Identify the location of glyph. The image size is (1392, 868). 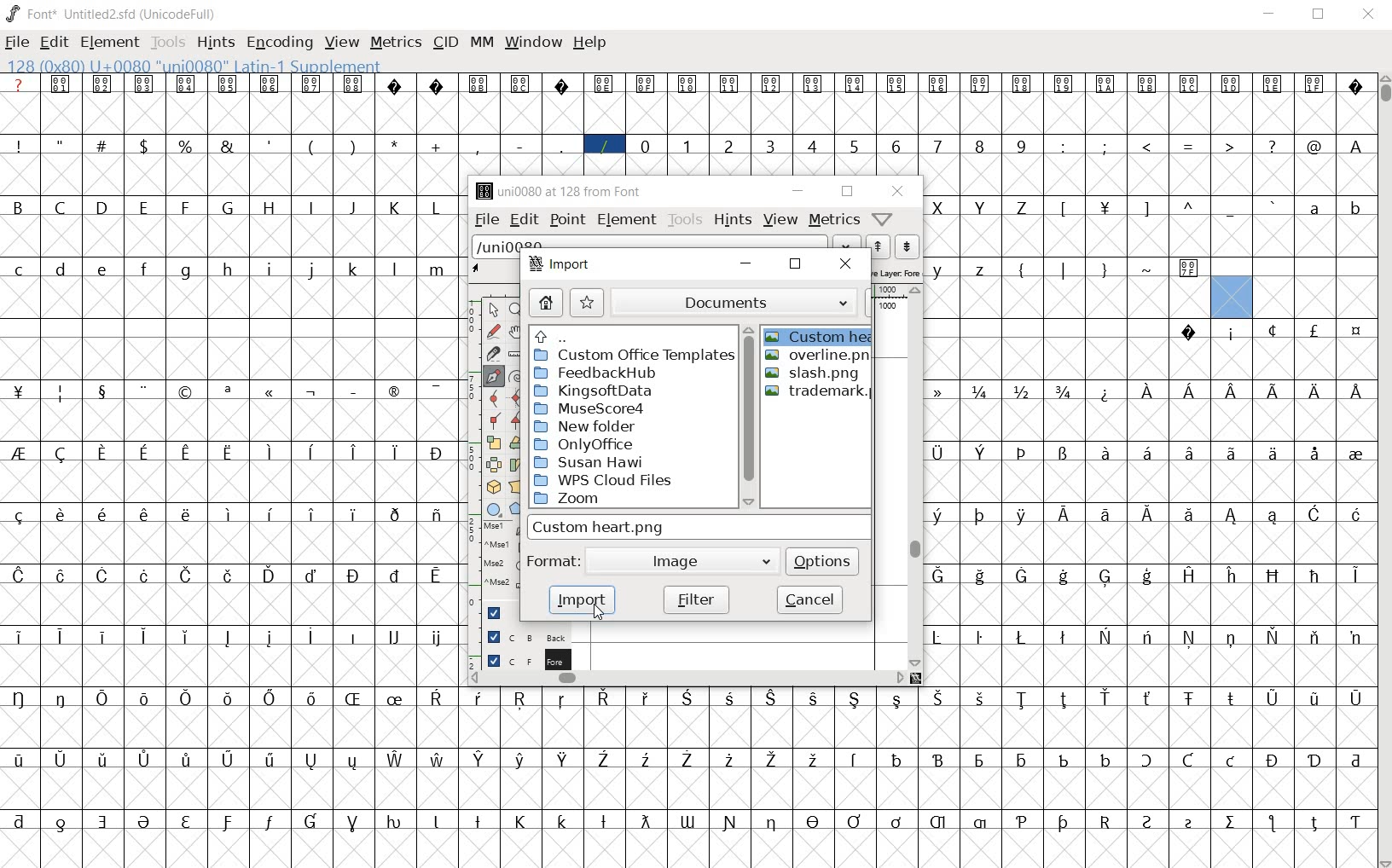
(938, 85).